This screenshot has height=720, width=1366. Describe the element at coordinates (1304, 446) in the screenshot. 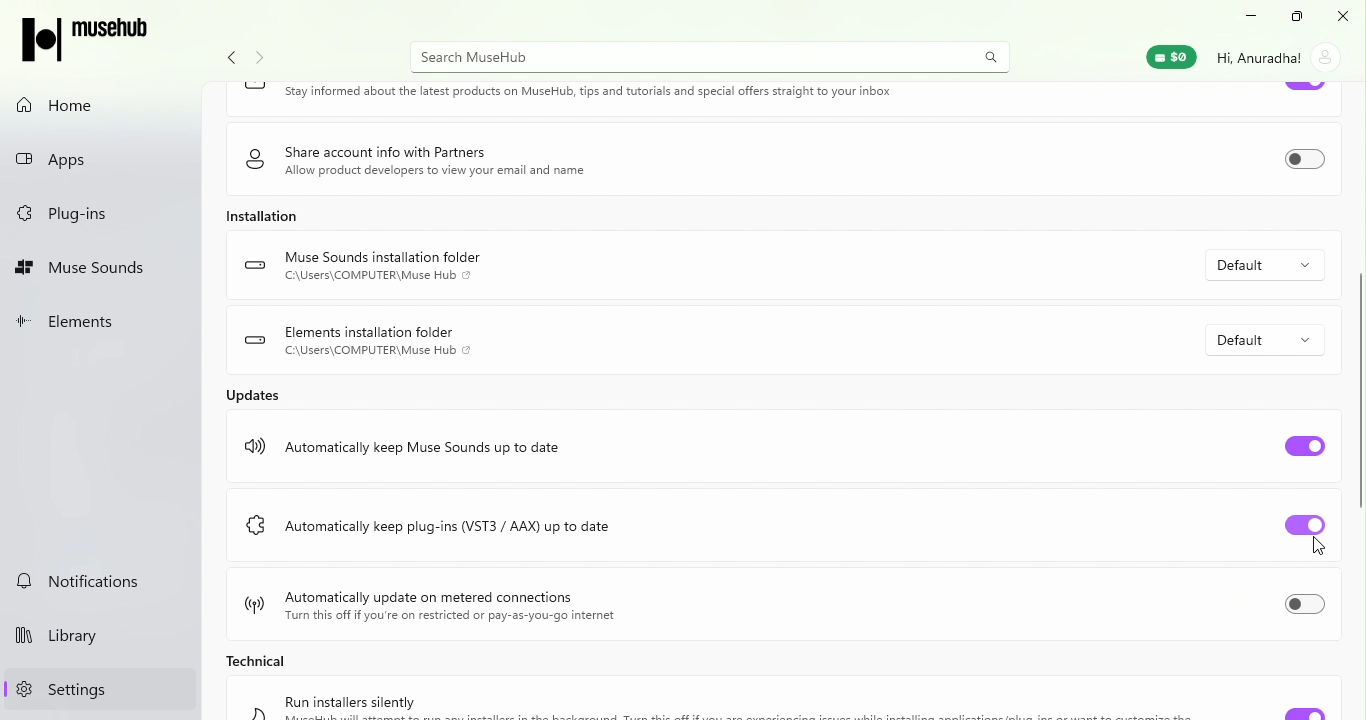

I see `Toggle` at that location.